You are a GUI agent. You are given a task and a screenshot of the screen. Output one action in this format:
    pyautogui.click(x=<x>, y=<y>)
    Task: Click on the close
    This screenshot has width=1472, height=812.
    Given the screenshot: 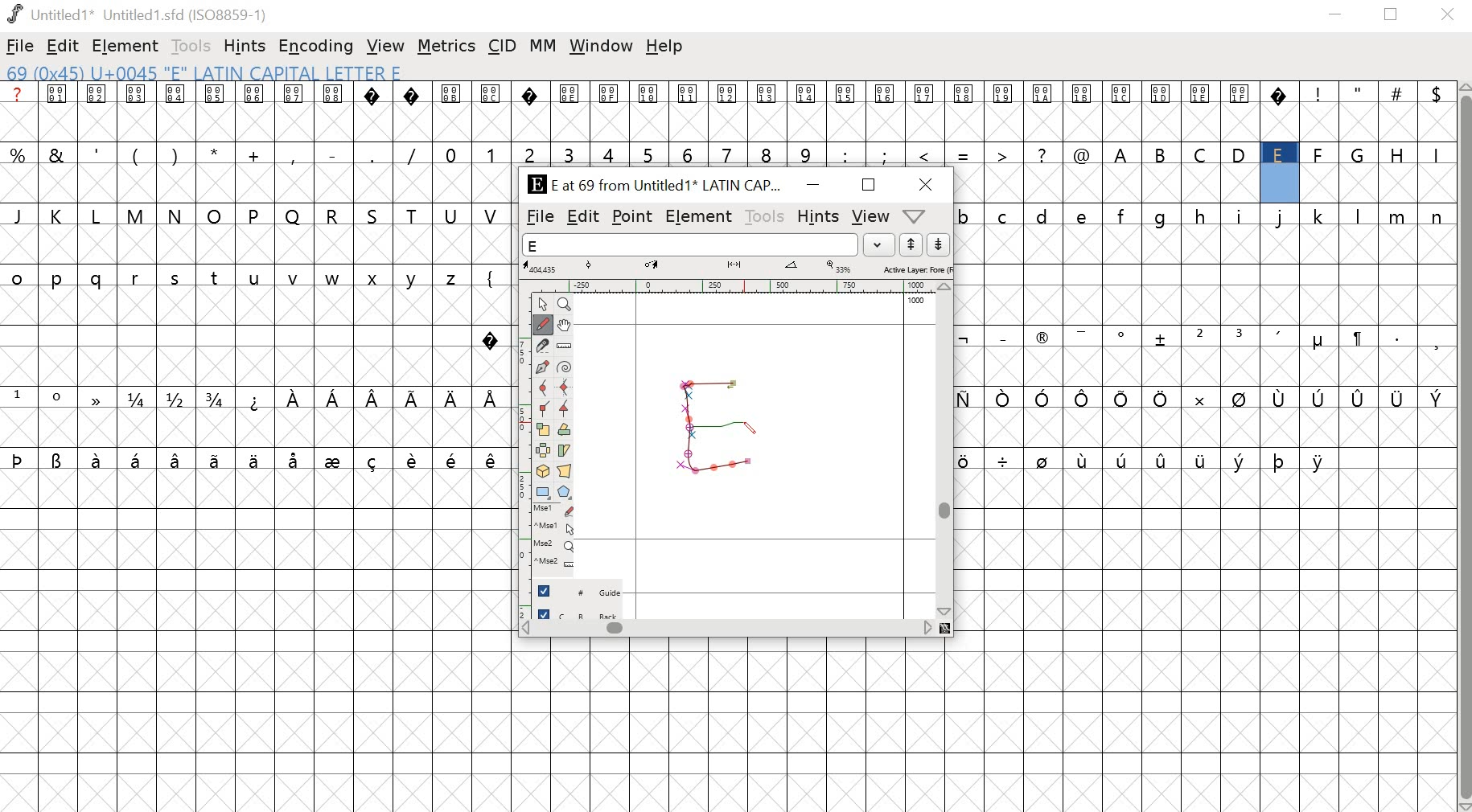 What is the action you would take?
    pyautogui.click(x=928, y=185)
    